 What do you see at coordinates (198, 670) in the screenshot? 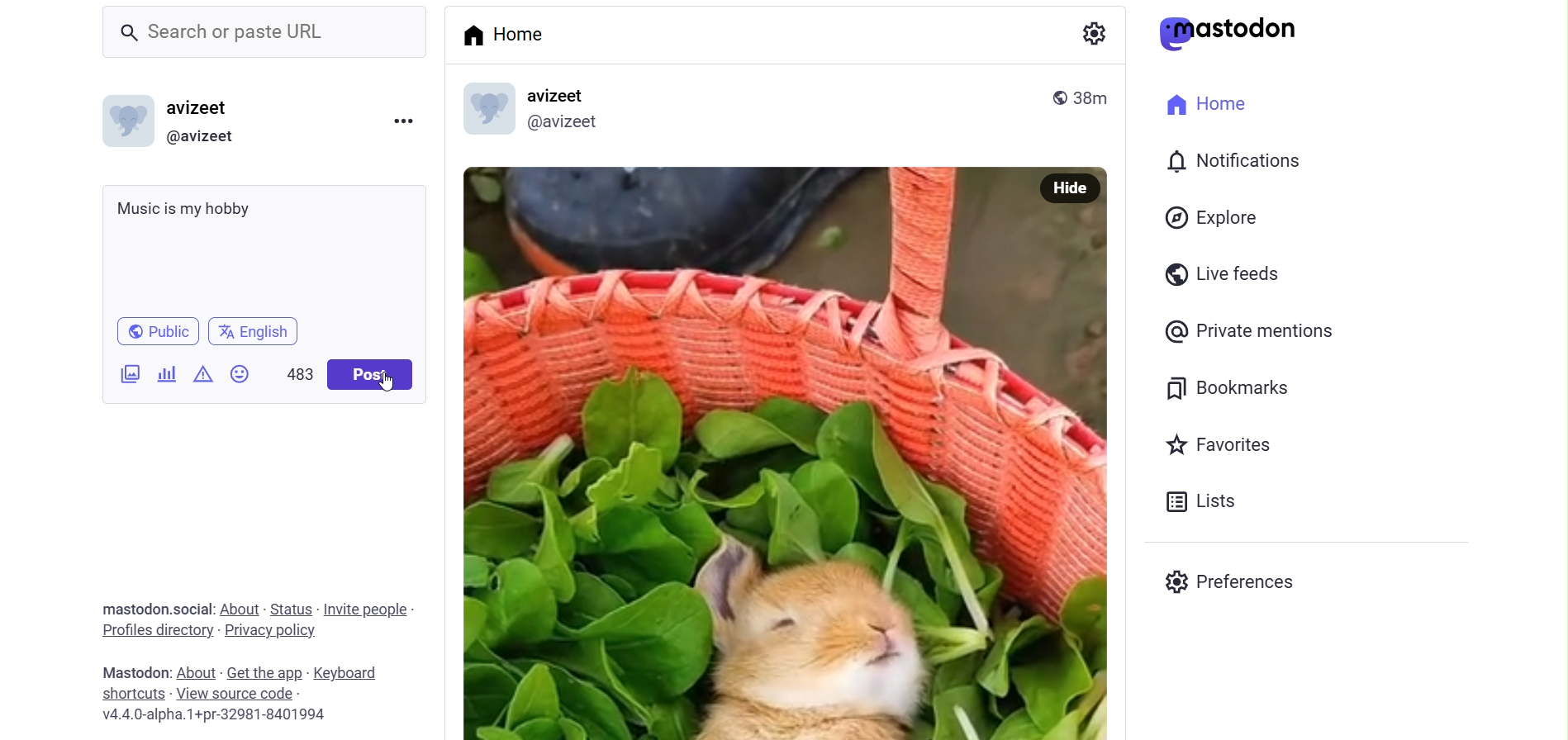
I see `About` at bounding box center [198, 670].